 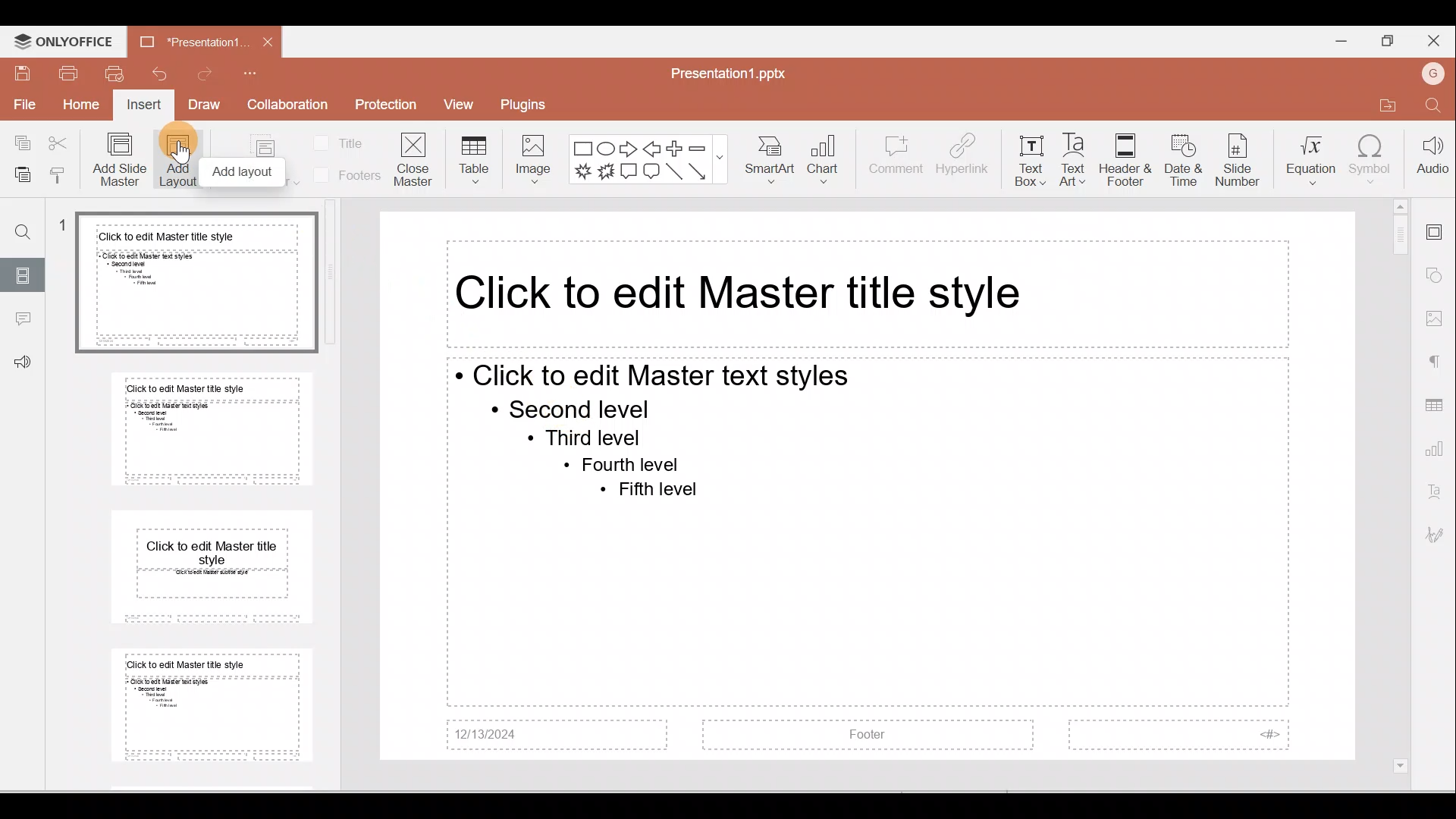 I want to click on Left arrow, so click(x=654, y=147).